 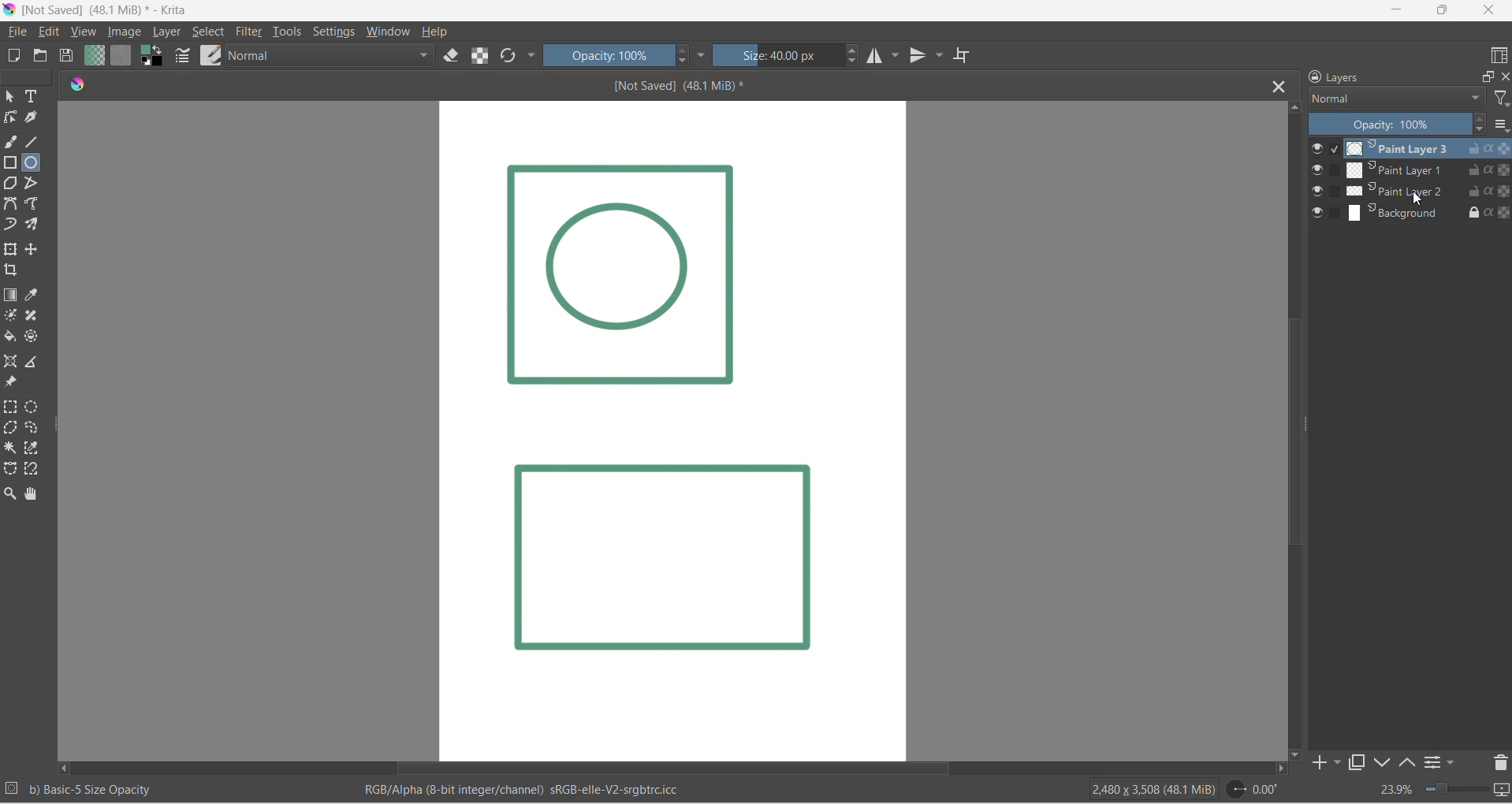 What do you see at coordinates (1429, 761) in the screenshot?
I see `options` at bounding box center [1429, 761].